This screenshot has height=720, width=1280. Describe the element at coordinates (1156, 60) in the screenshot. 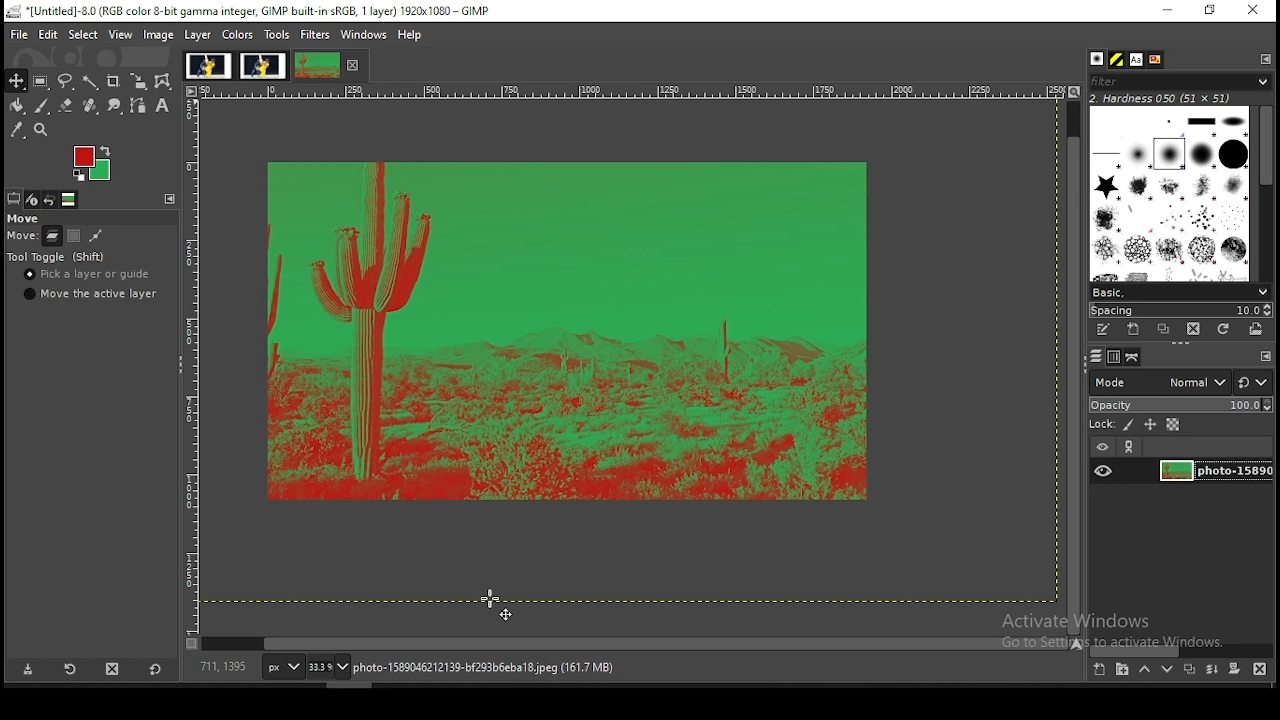

I see `document history` at that location.